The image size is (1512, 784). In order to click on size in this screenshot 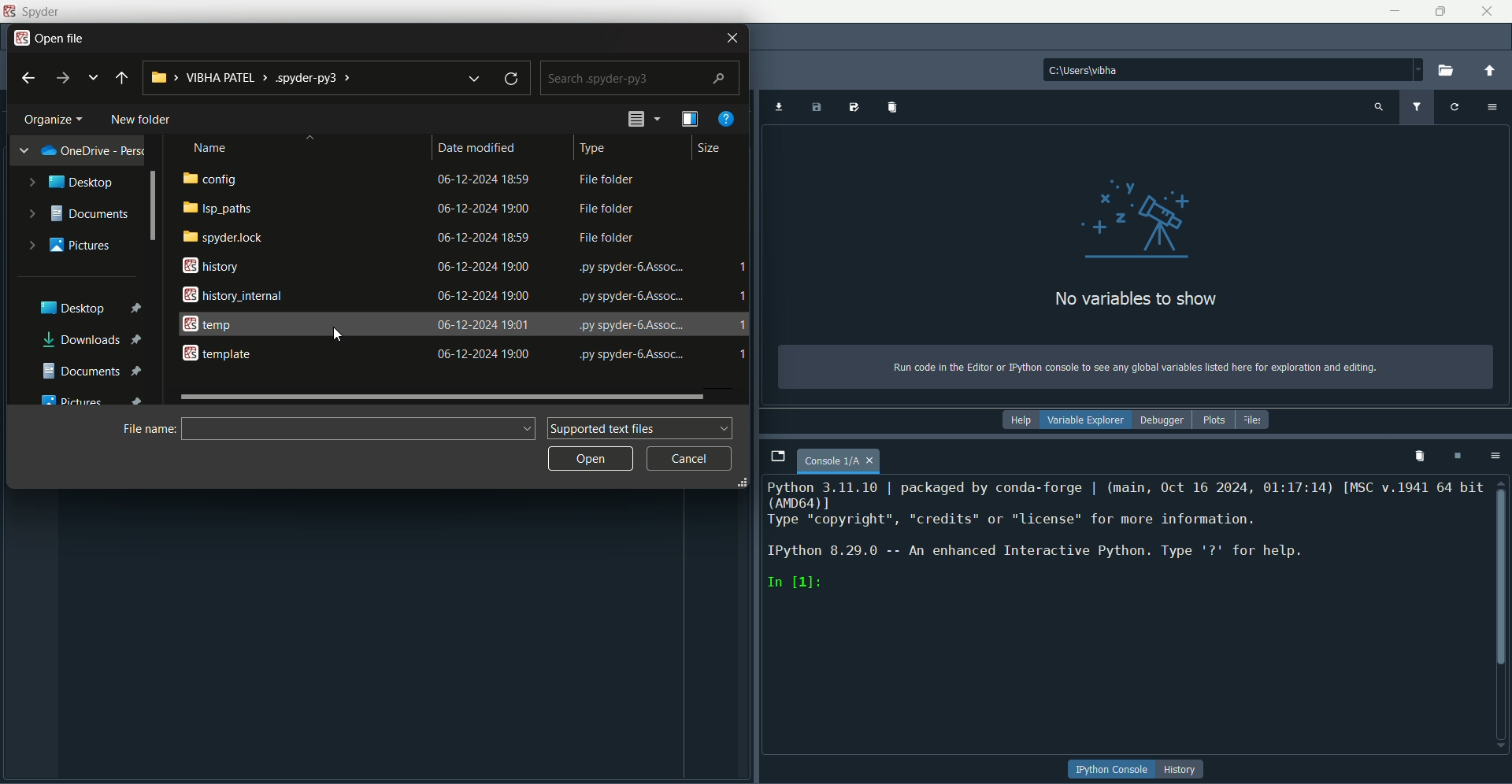, I will do `click(705, 150)`.